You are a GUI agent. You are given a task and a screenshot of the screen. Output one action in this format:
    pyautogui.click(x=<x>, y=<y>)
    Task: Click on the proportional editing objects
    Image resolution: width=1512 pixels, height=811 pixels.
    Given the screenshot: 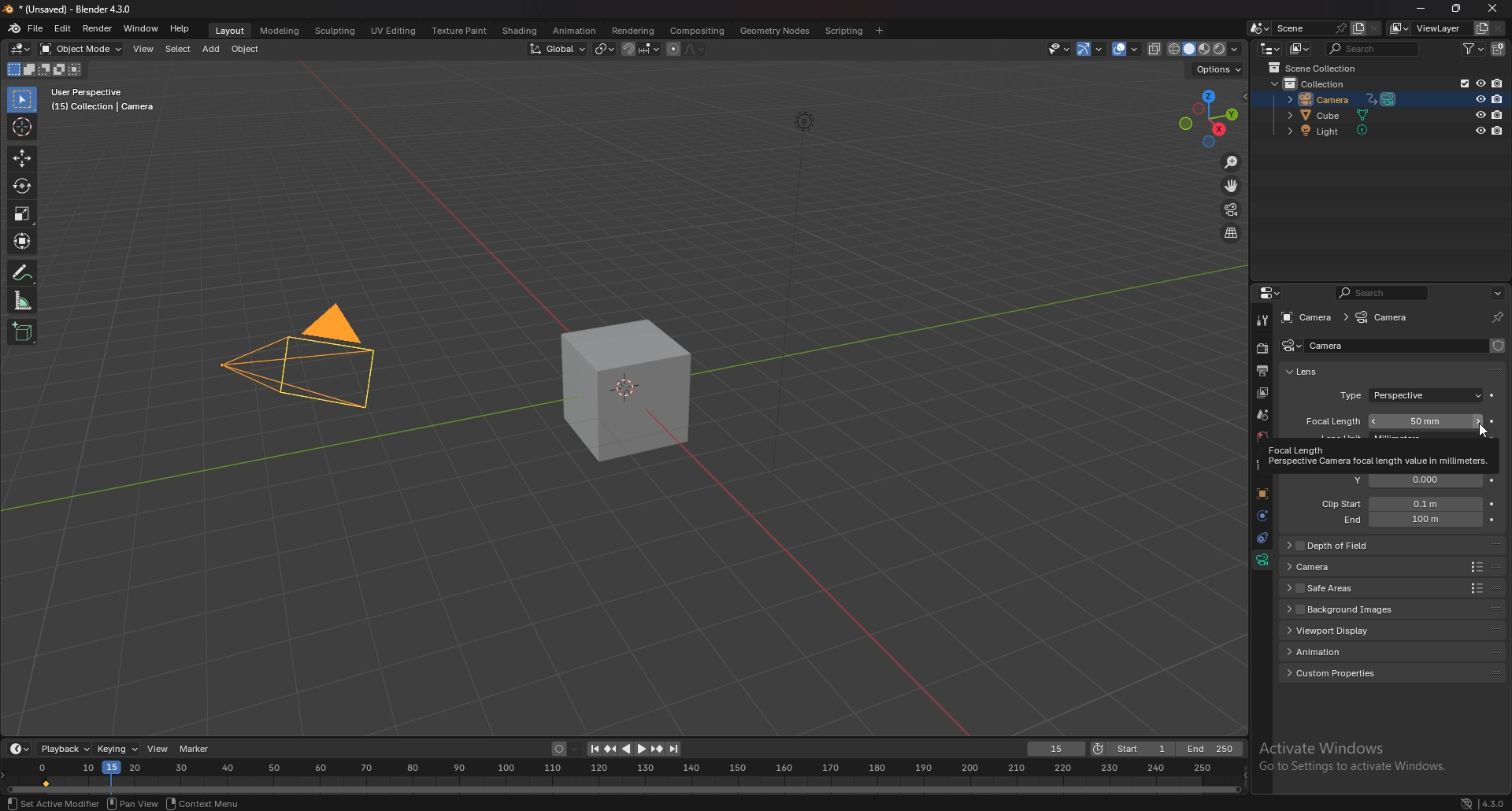 What is the action you would take?
    pyautogui.click(x=670, y=49)
    